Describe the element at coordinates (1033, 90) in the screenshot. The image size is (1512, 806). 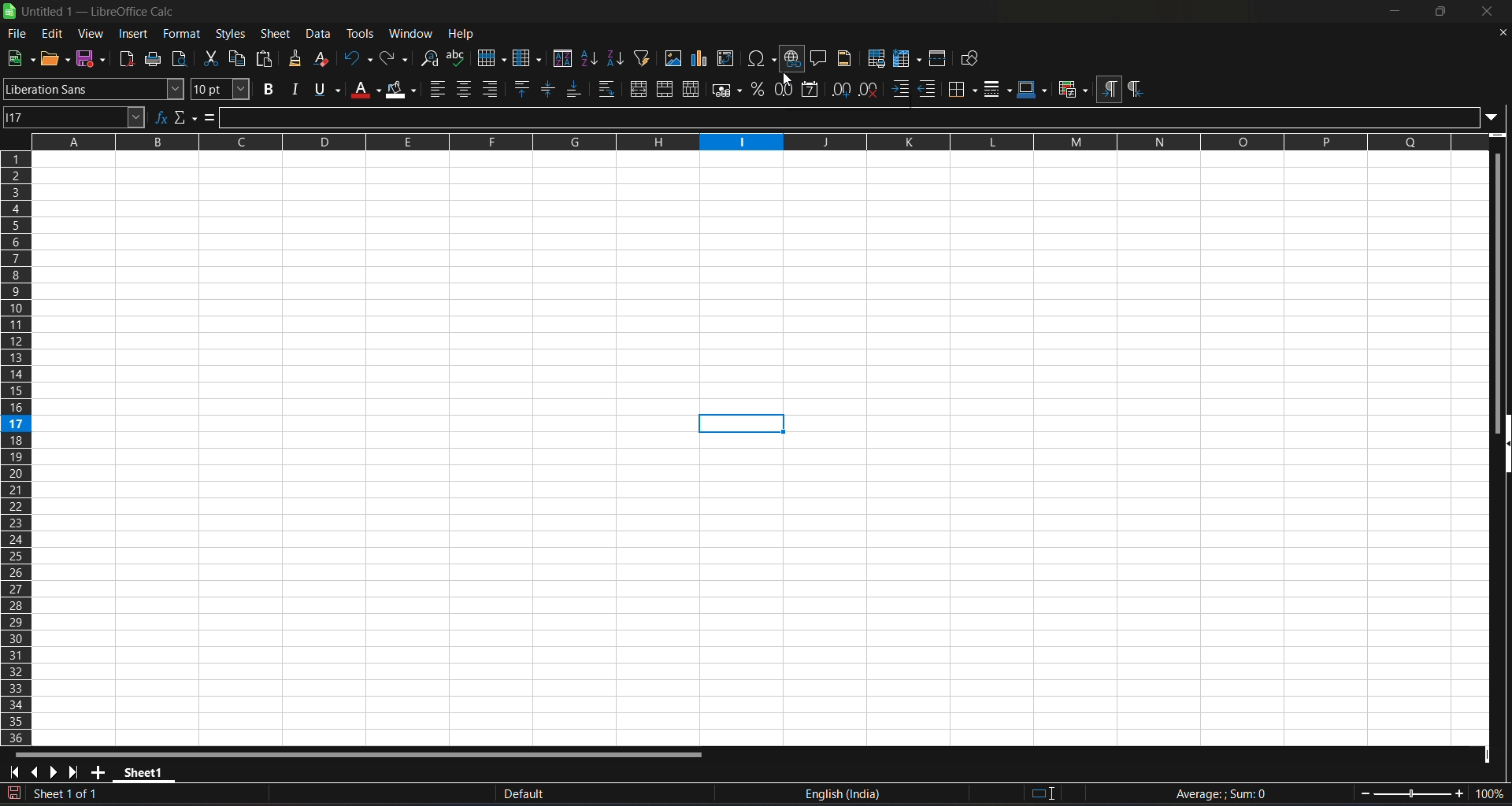
I see `border colors` at that location.